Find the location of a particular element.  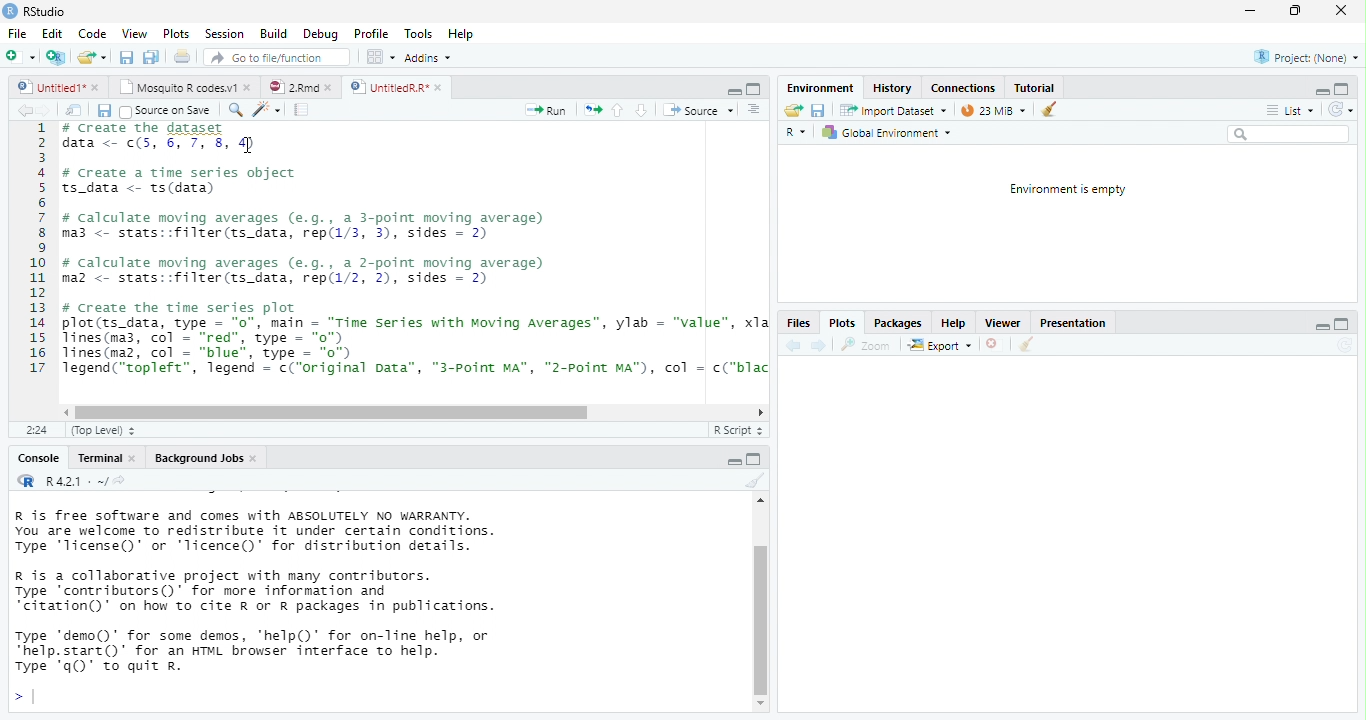

Addins is located at coordinates (428, 58).